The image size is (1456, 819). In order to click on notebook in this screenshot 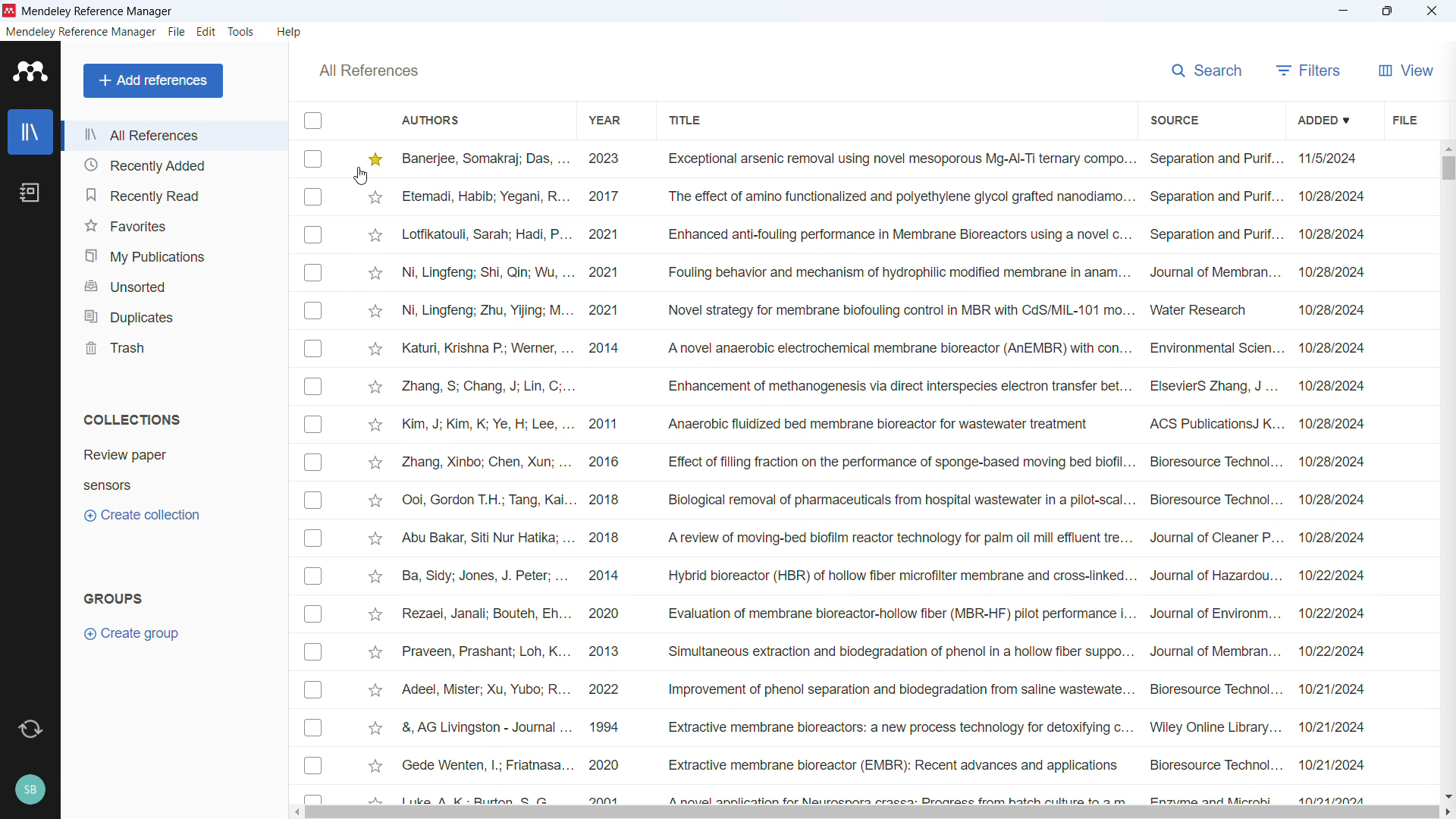, I will do `click(31, 192)`.